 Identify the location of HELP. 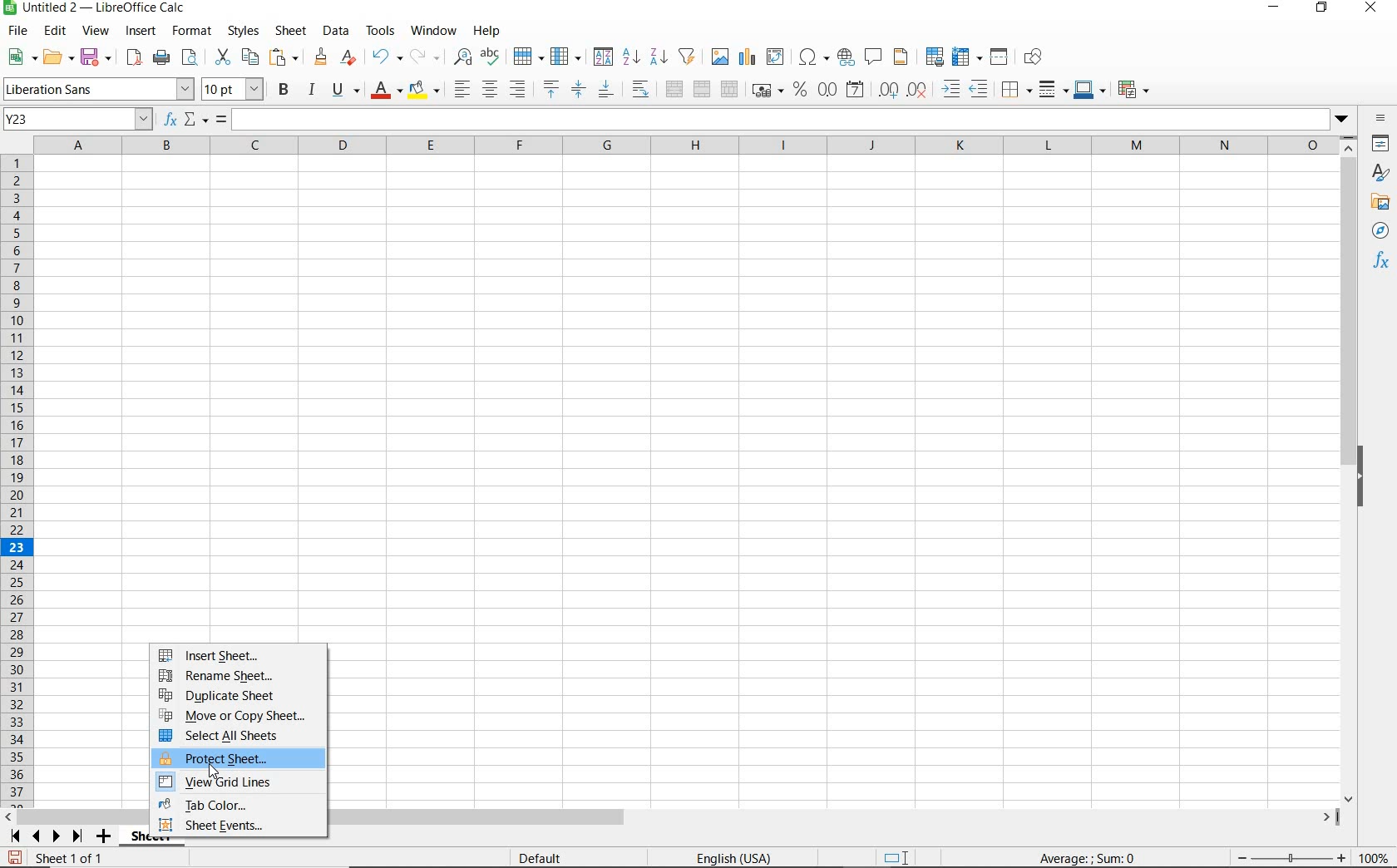
(490, 31).